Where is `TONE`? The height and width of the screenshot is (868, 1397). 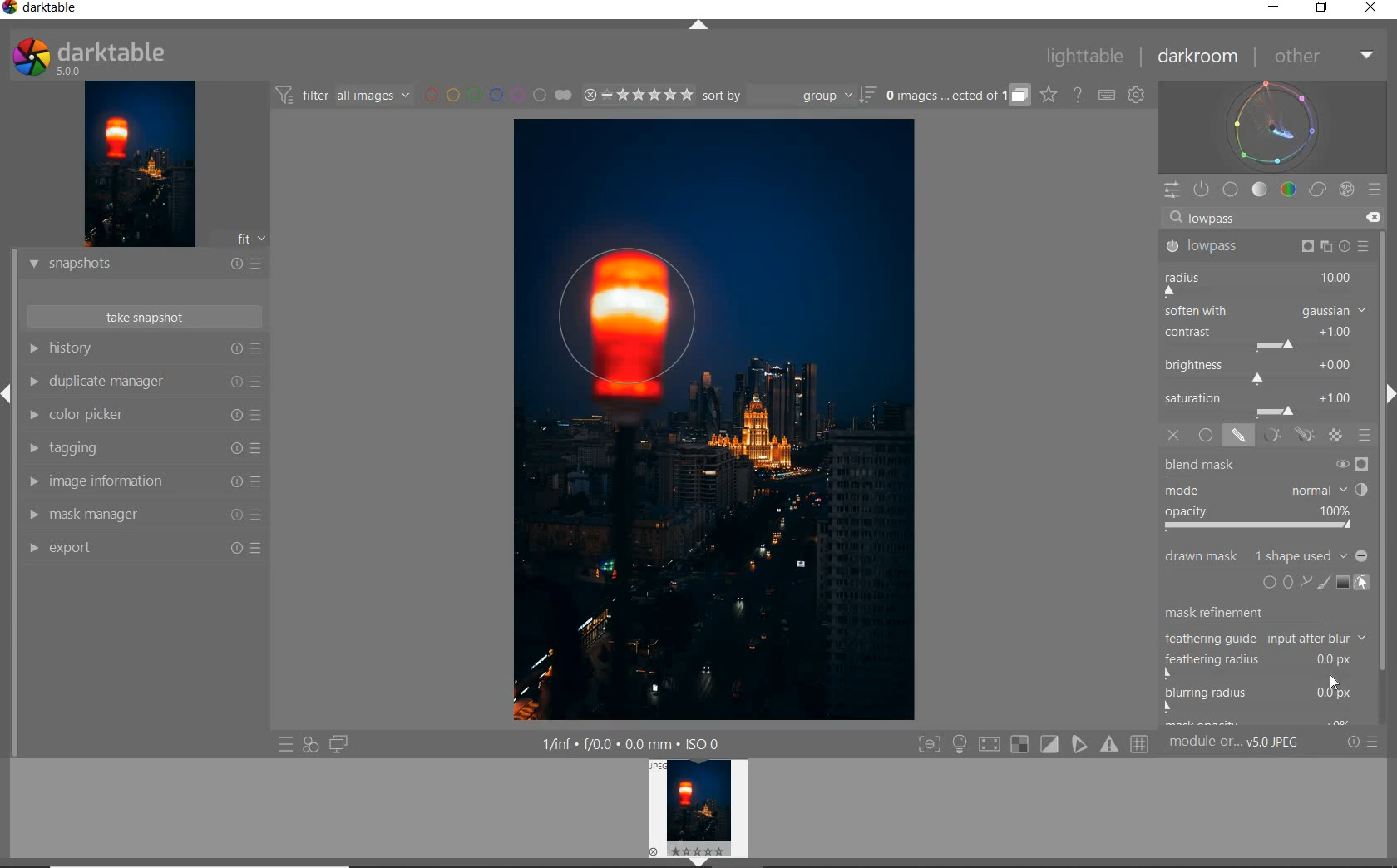
TONE is located at coordinates (1260, 190).